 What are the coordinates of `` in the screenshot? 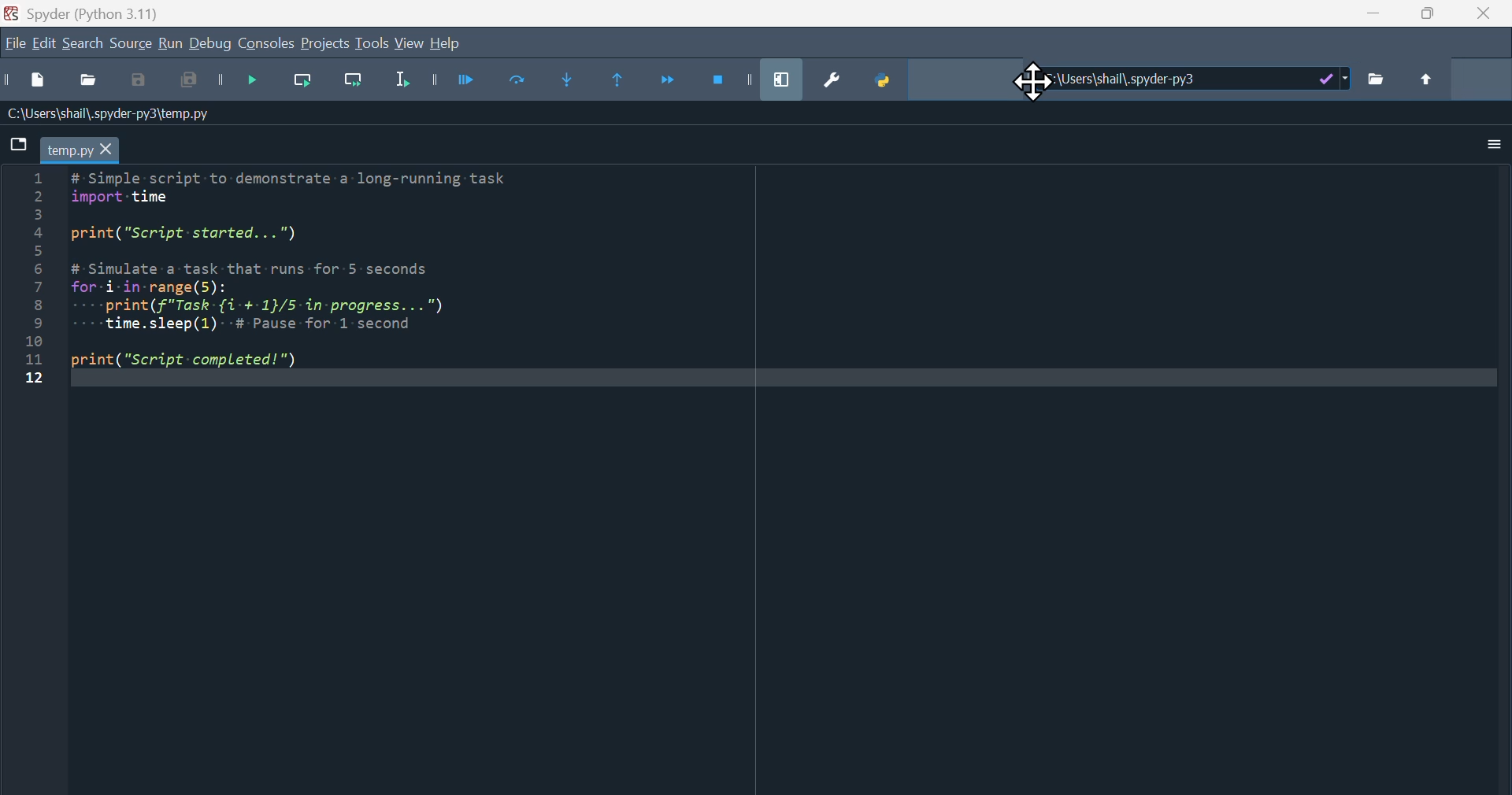 It's located at (190, 85).